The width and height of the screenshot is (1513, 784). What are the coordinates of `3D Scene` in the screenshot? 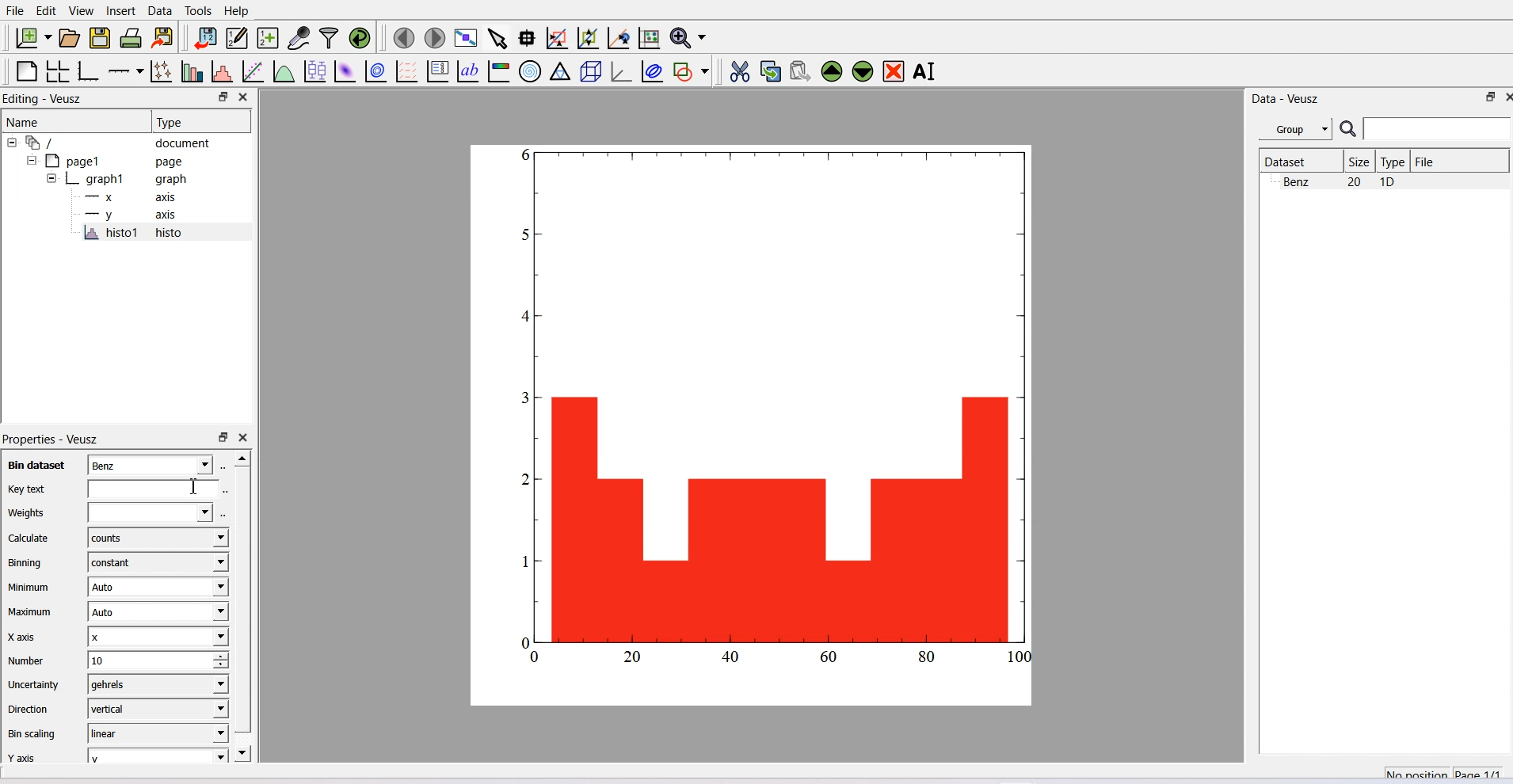 It's located at (591, 71).